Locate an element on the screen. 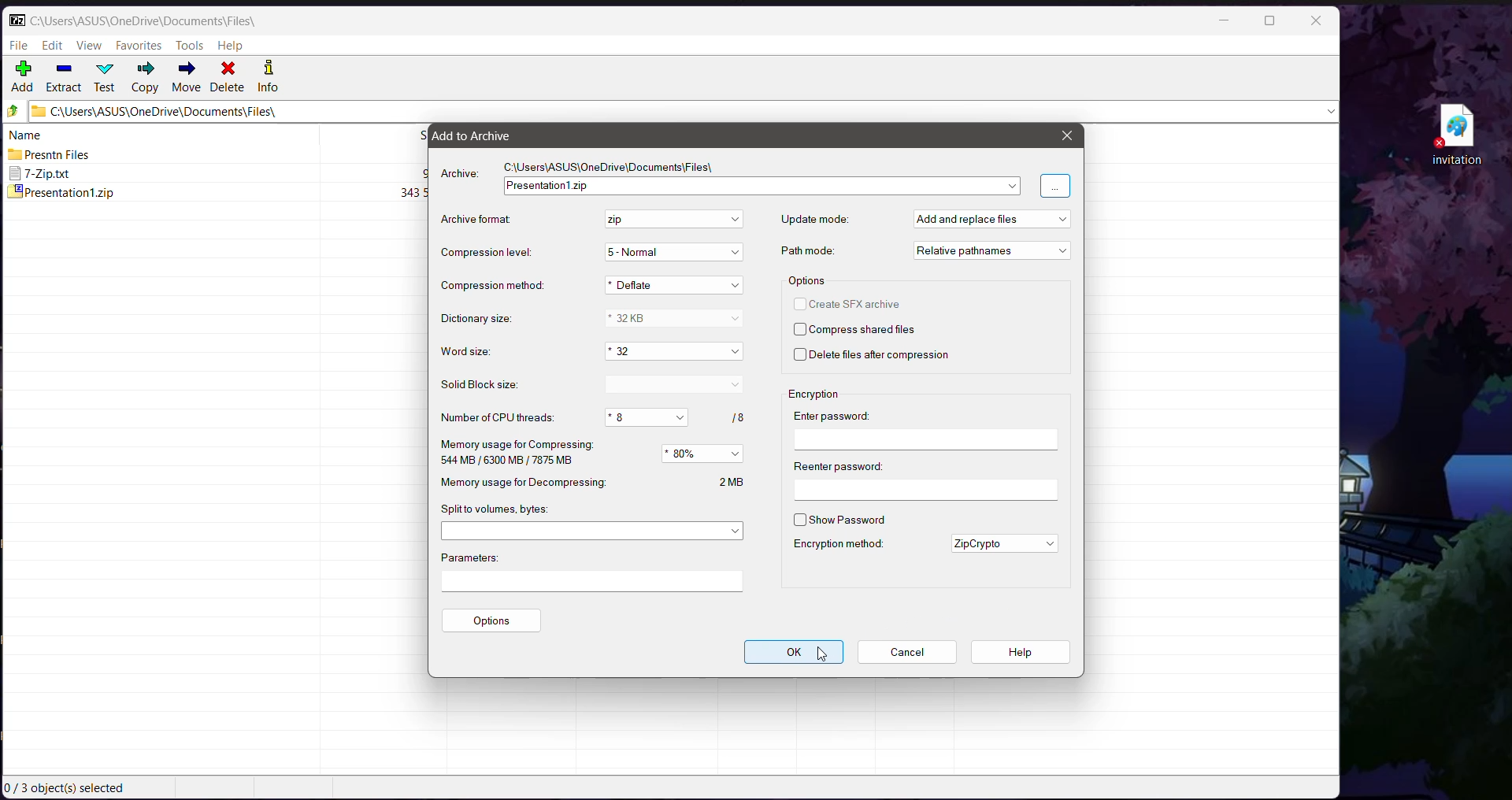 The width and height of the screenshot is (1512, 800). Application Logo is located at coordinates (17, 20).